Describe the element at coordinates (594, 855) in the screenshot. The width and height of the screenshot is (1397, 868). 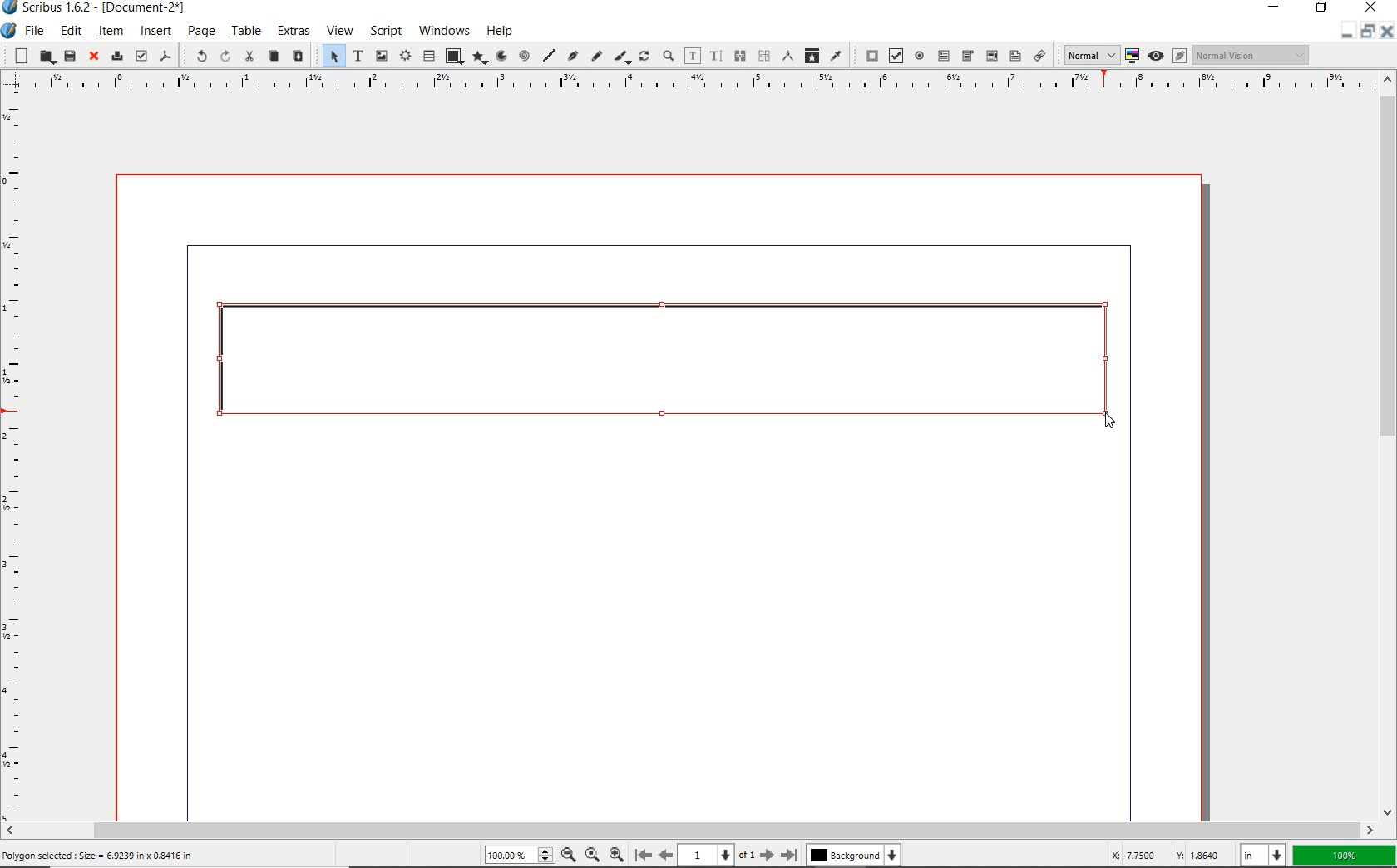
I see `zoom to` at that location.